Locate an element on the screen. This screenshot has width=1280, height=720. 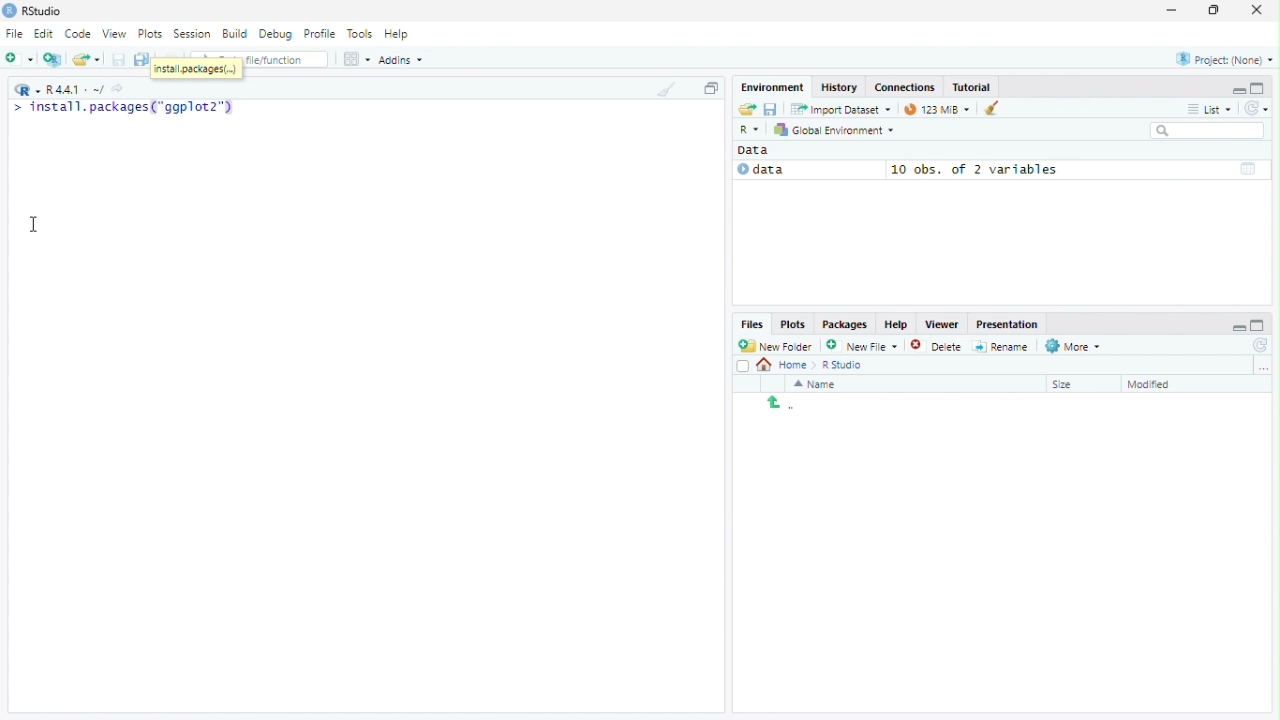
Home is located at coordinates (784, 366).